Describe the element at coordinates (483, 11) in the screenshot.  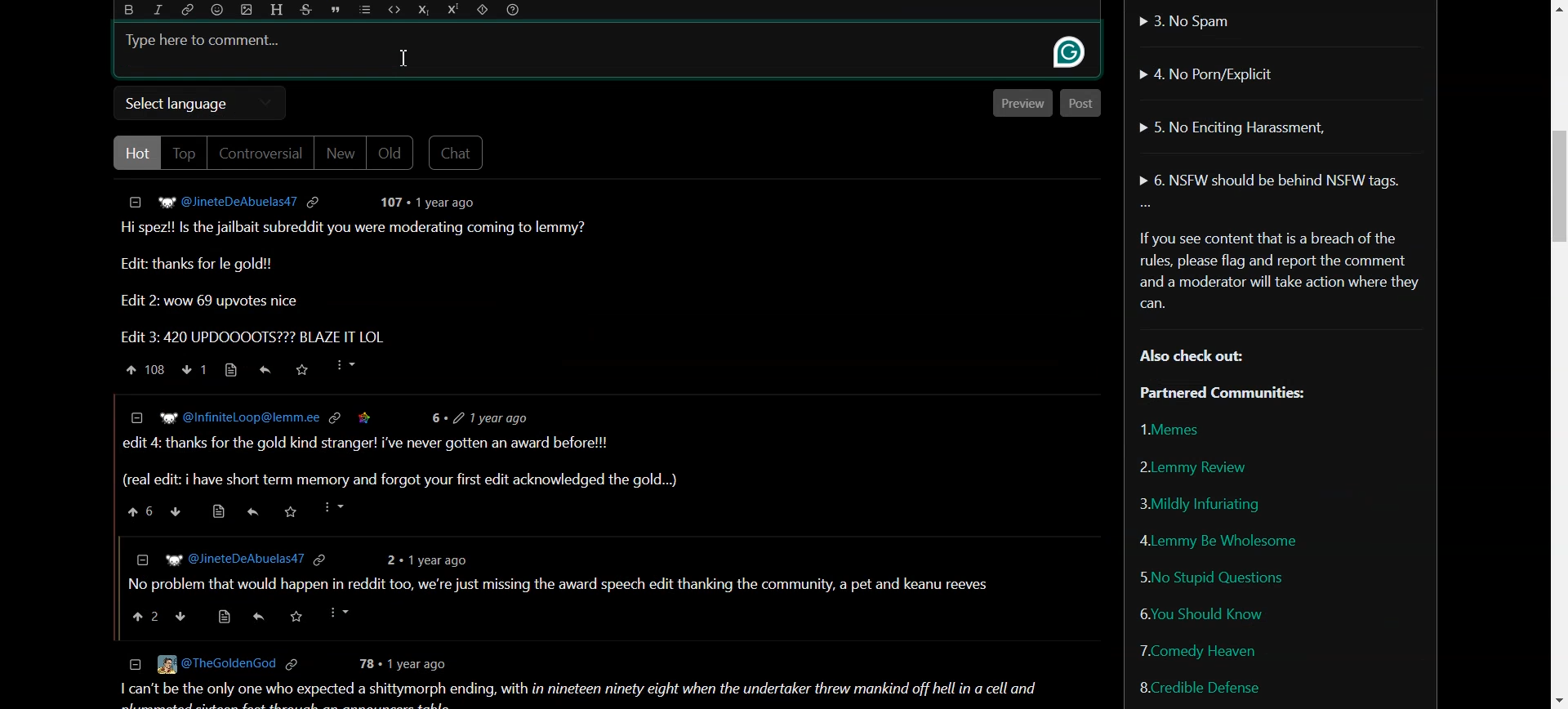
I see `Spoiler` at that location.